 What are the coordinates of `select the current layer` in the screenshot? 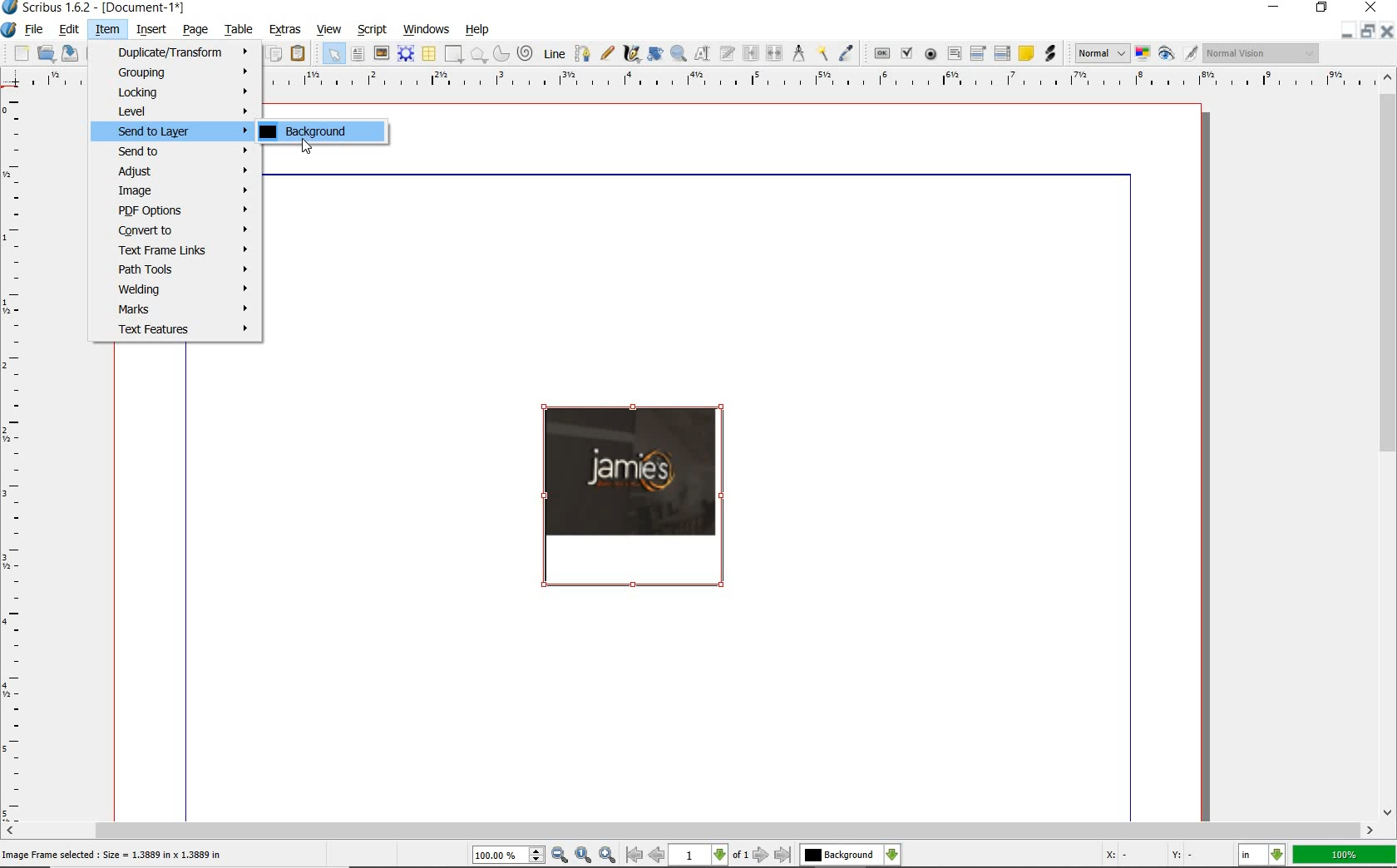 It's located at (849, 855).